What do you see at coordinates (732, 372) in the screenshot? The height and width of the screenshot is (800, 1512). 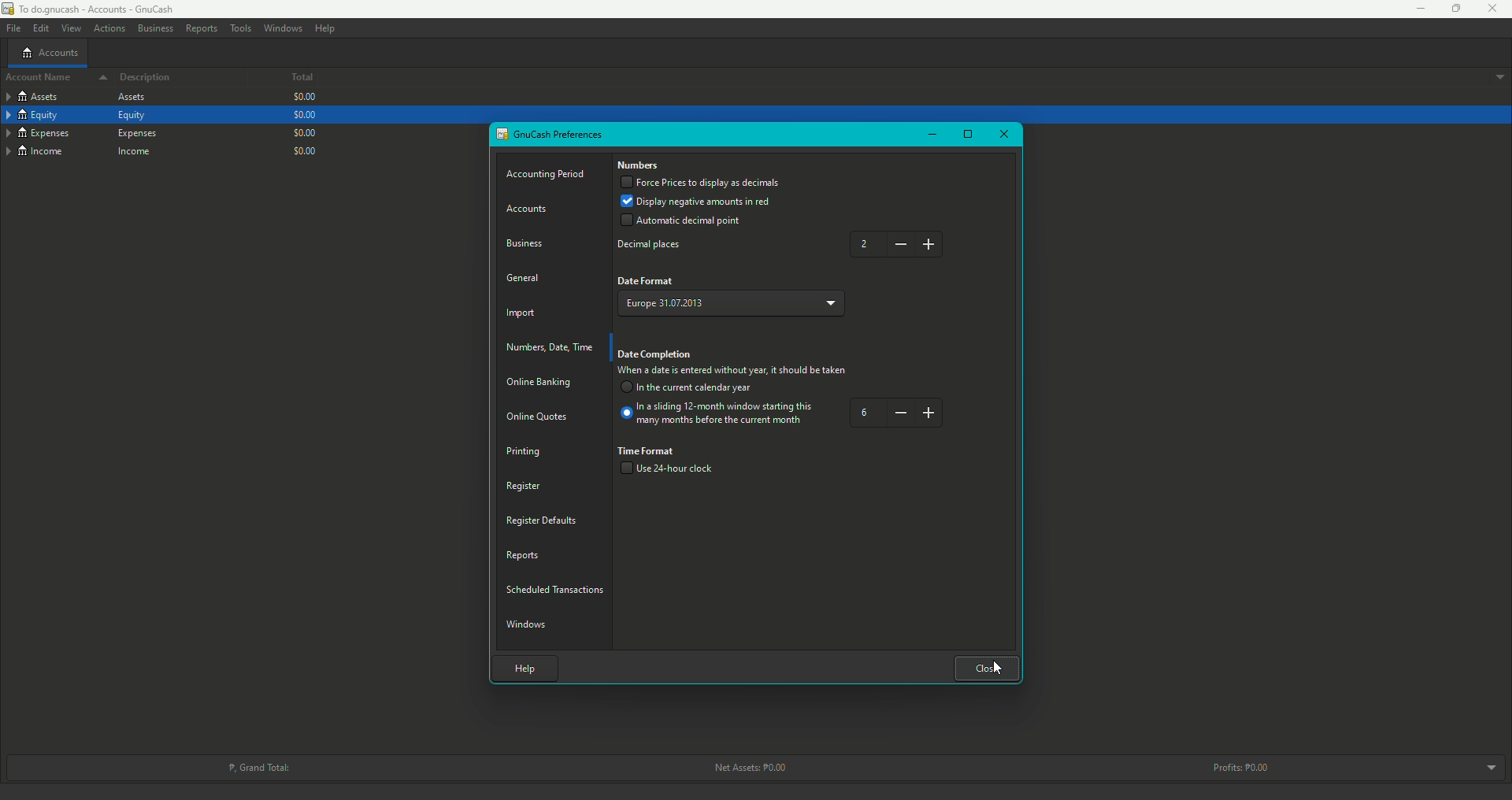 I see `When a date is entered without year` at bounding box center [732, 372].